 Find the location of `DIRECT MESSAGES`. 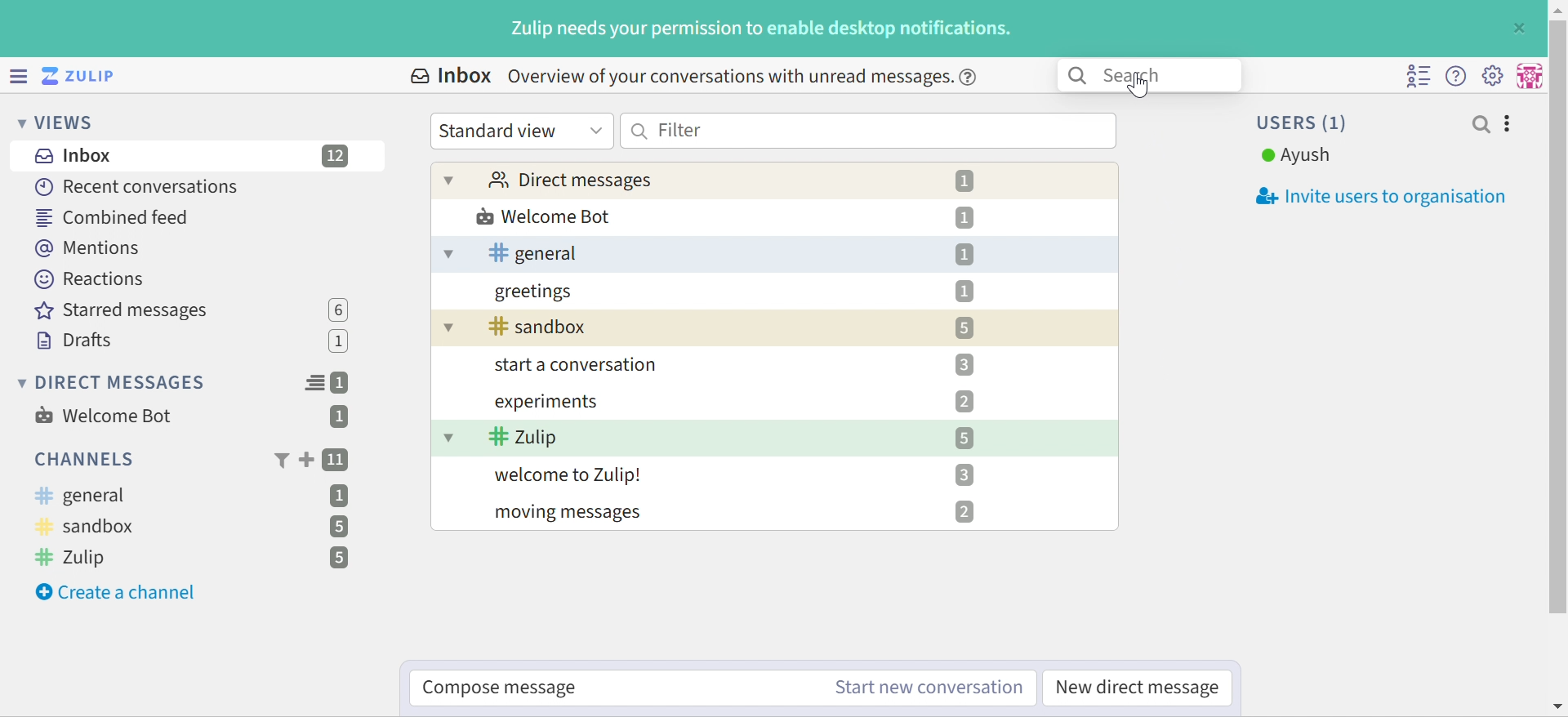

DIRECT MESSAGES is located at coordinates (113, 383).